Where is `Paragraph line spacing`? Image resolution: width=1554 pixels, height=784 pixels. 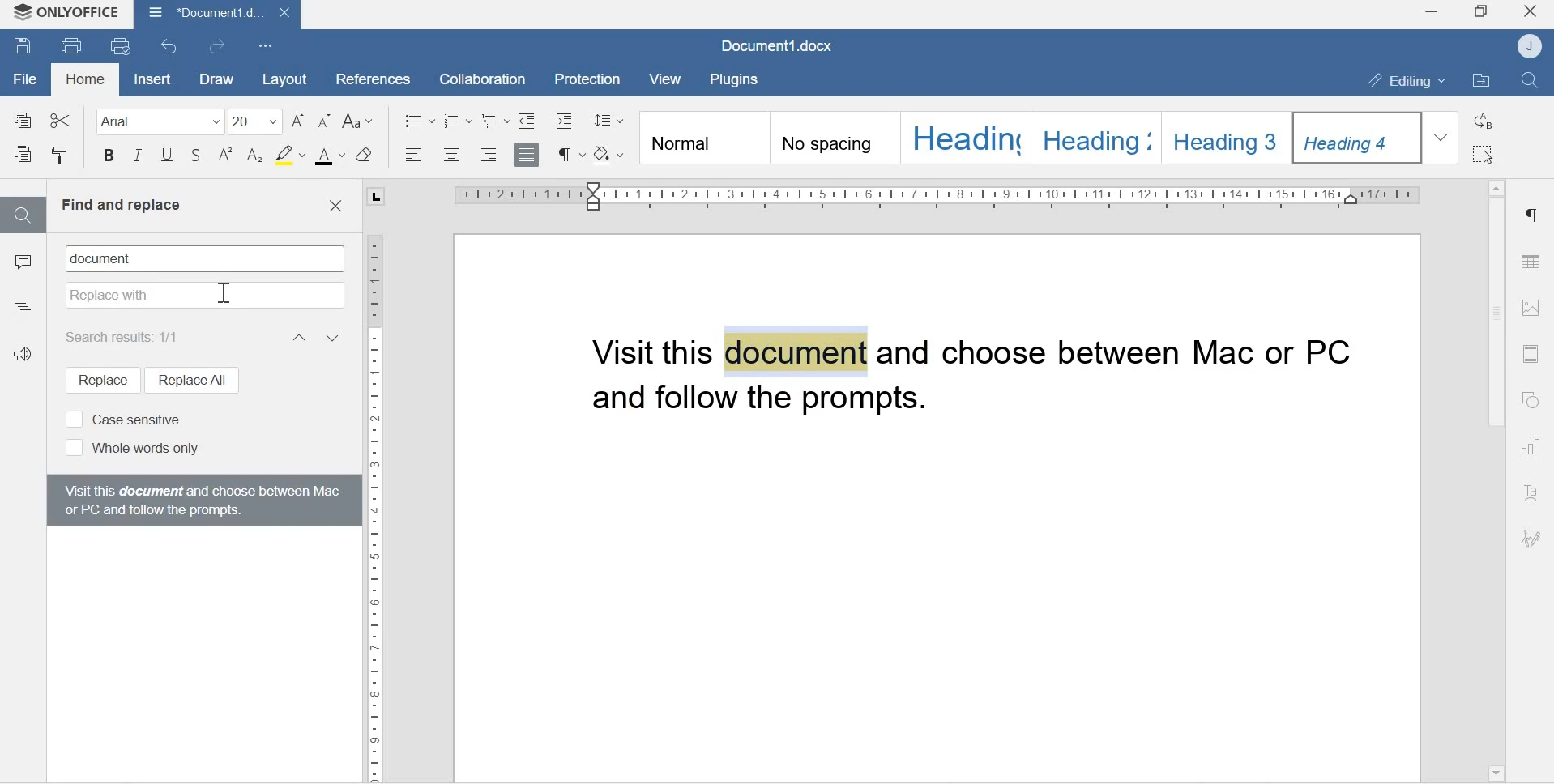 Paragraph line spacing is located at coordinates (608, 117).